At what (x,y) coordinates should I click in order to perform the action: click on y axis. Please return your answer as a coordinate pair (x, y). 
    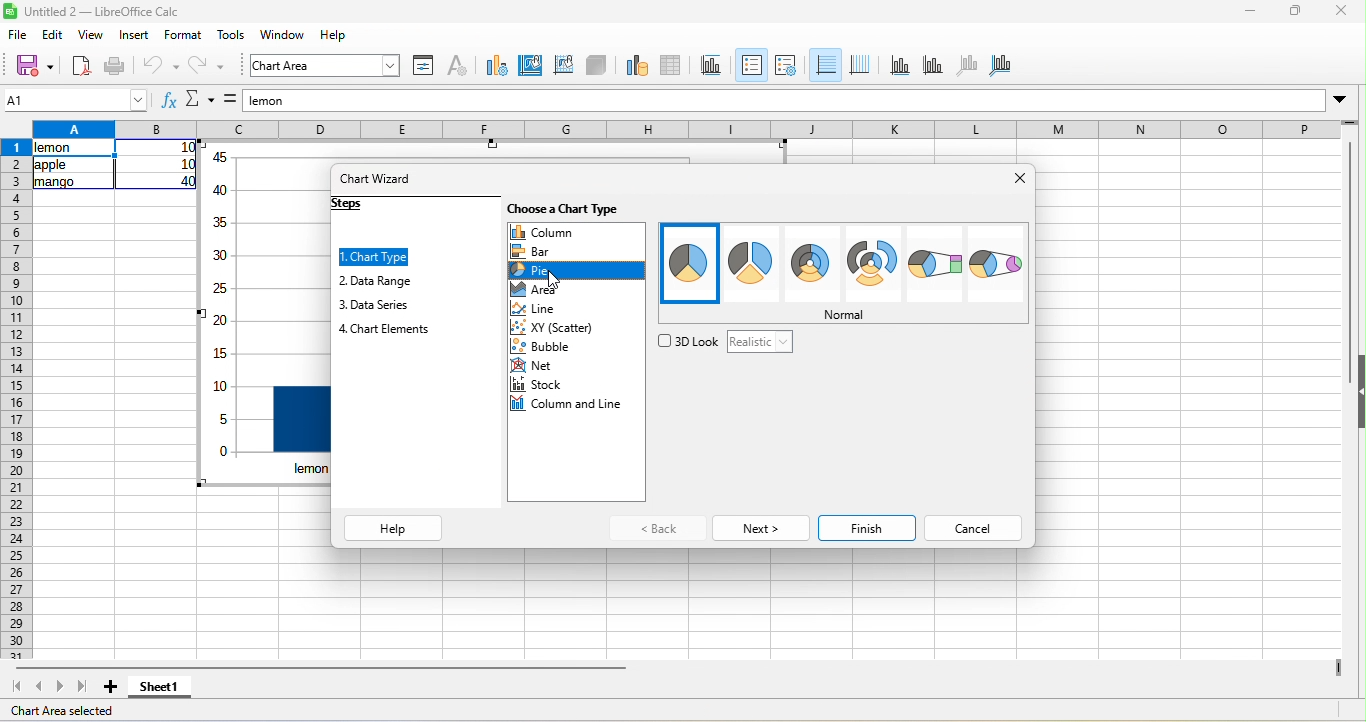
    Looking at the image, I should click on (934, 65).